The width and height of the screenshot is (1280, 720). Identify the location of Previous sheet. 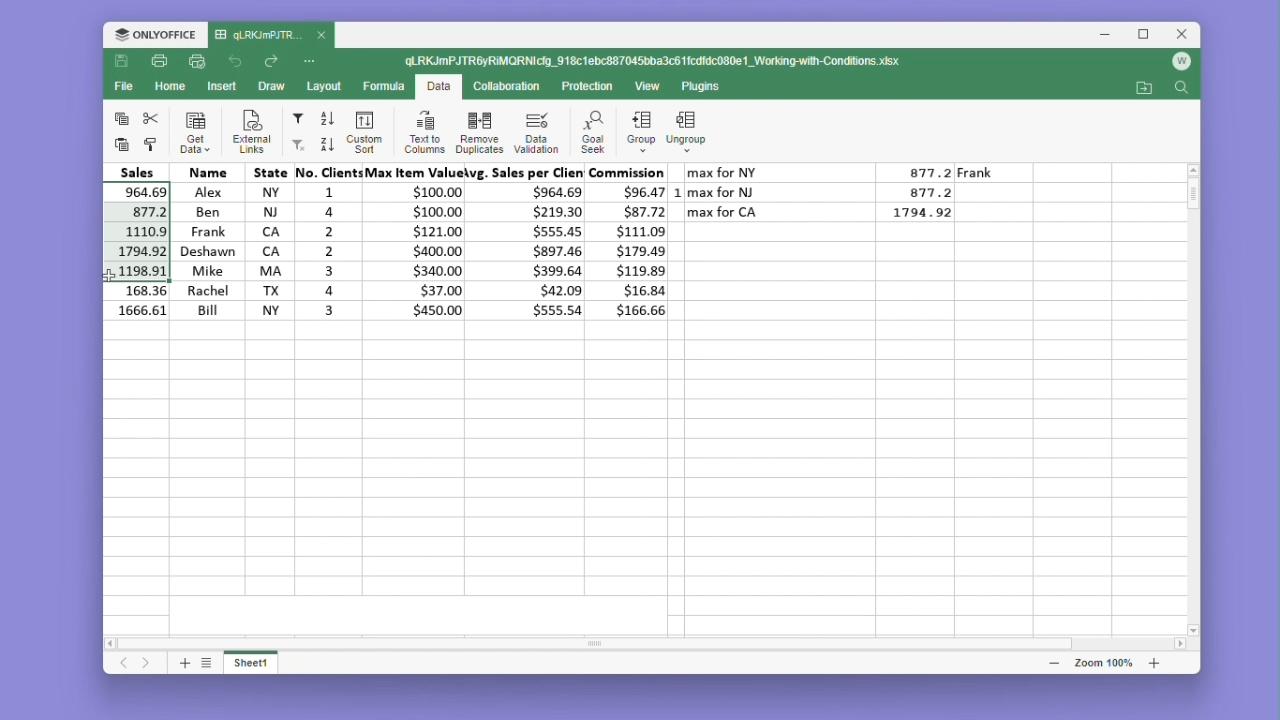
(125, 664).